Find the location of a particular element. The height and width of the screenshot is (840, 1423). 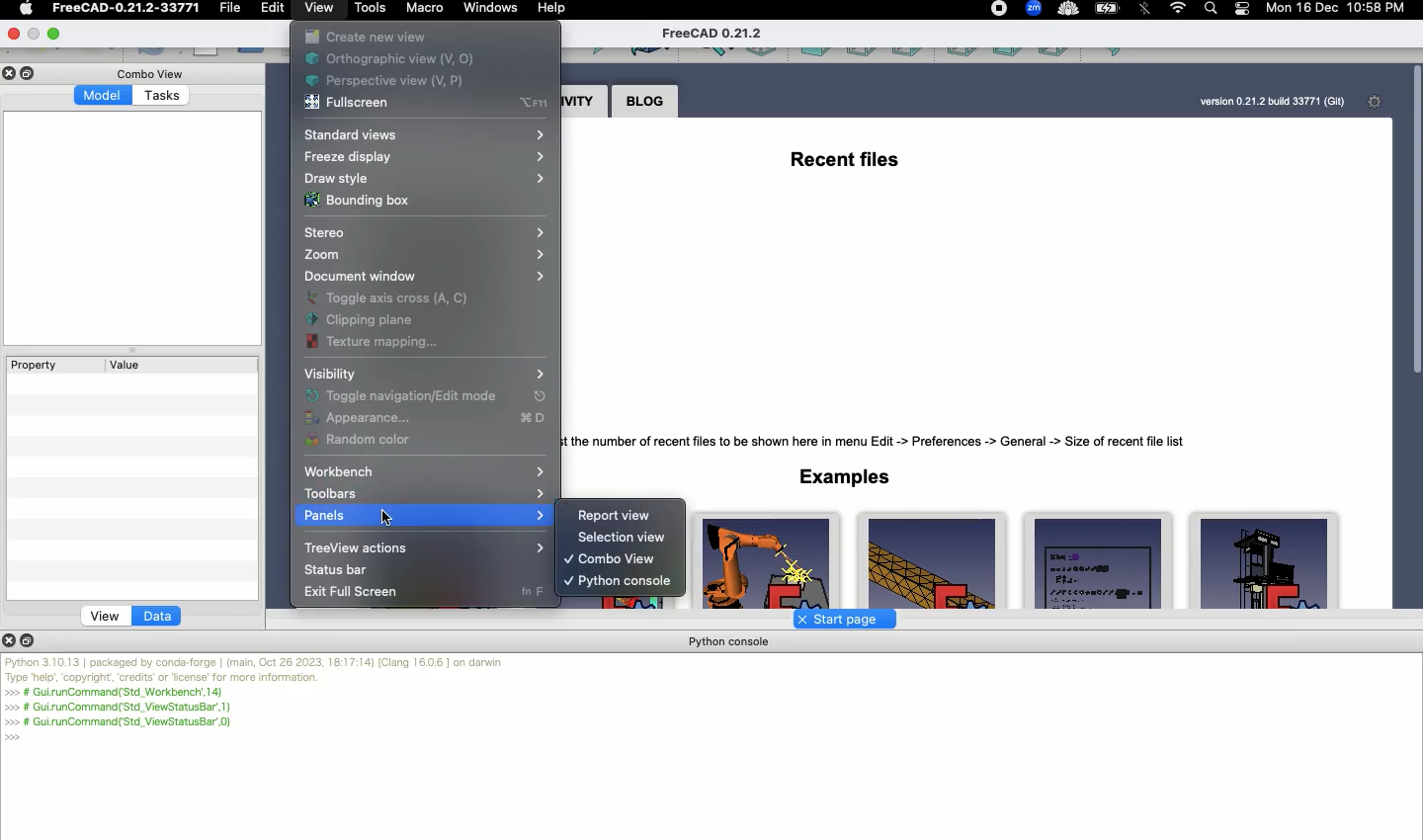

Create new view is located at coordinates (367, 38).